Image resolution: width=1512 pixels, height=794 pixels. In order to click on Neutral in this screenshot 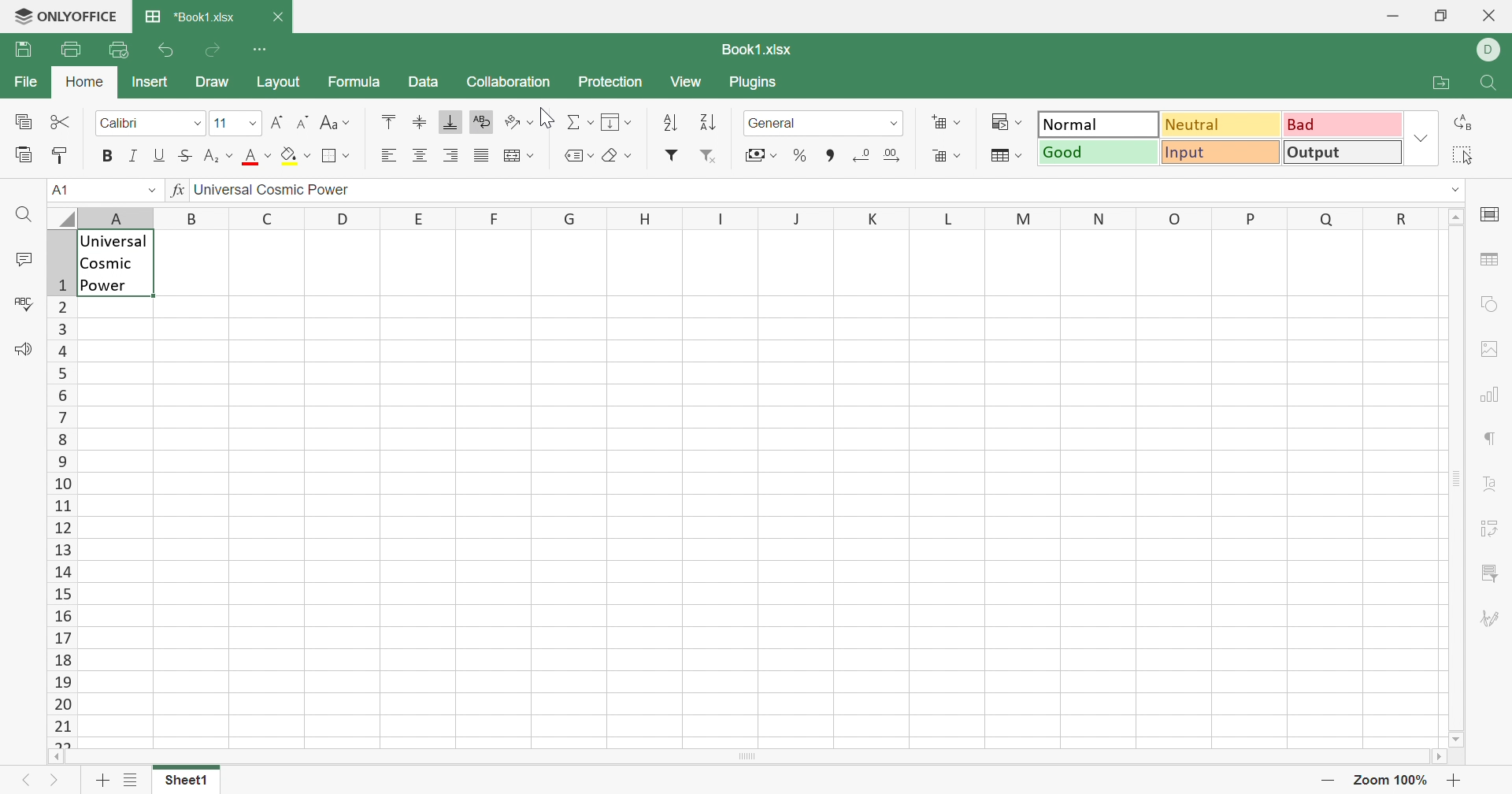, I will do `click(1221, 127)`.